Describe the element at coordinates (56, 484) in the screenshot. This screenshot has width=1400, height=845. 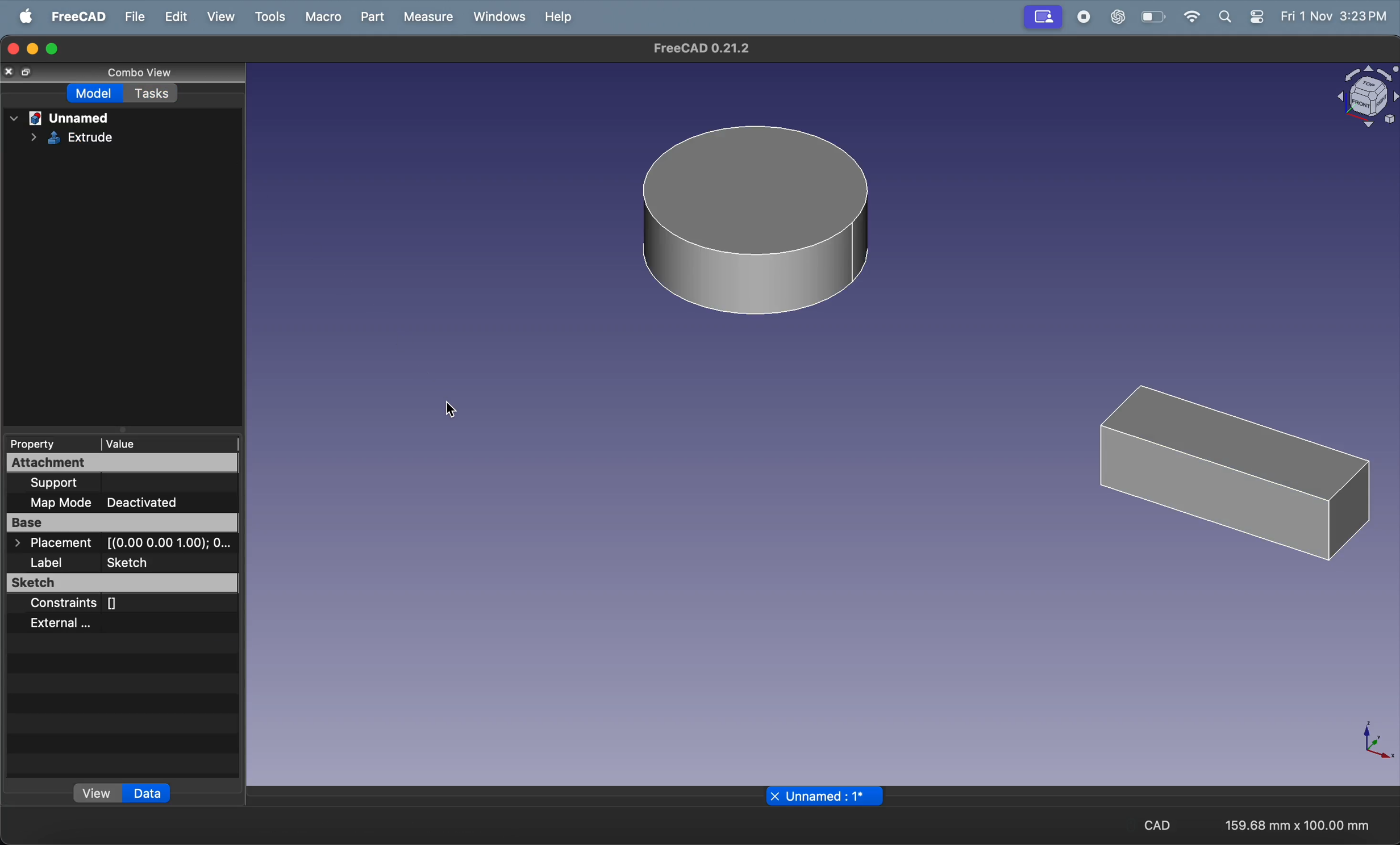
I see `Support` at that location.